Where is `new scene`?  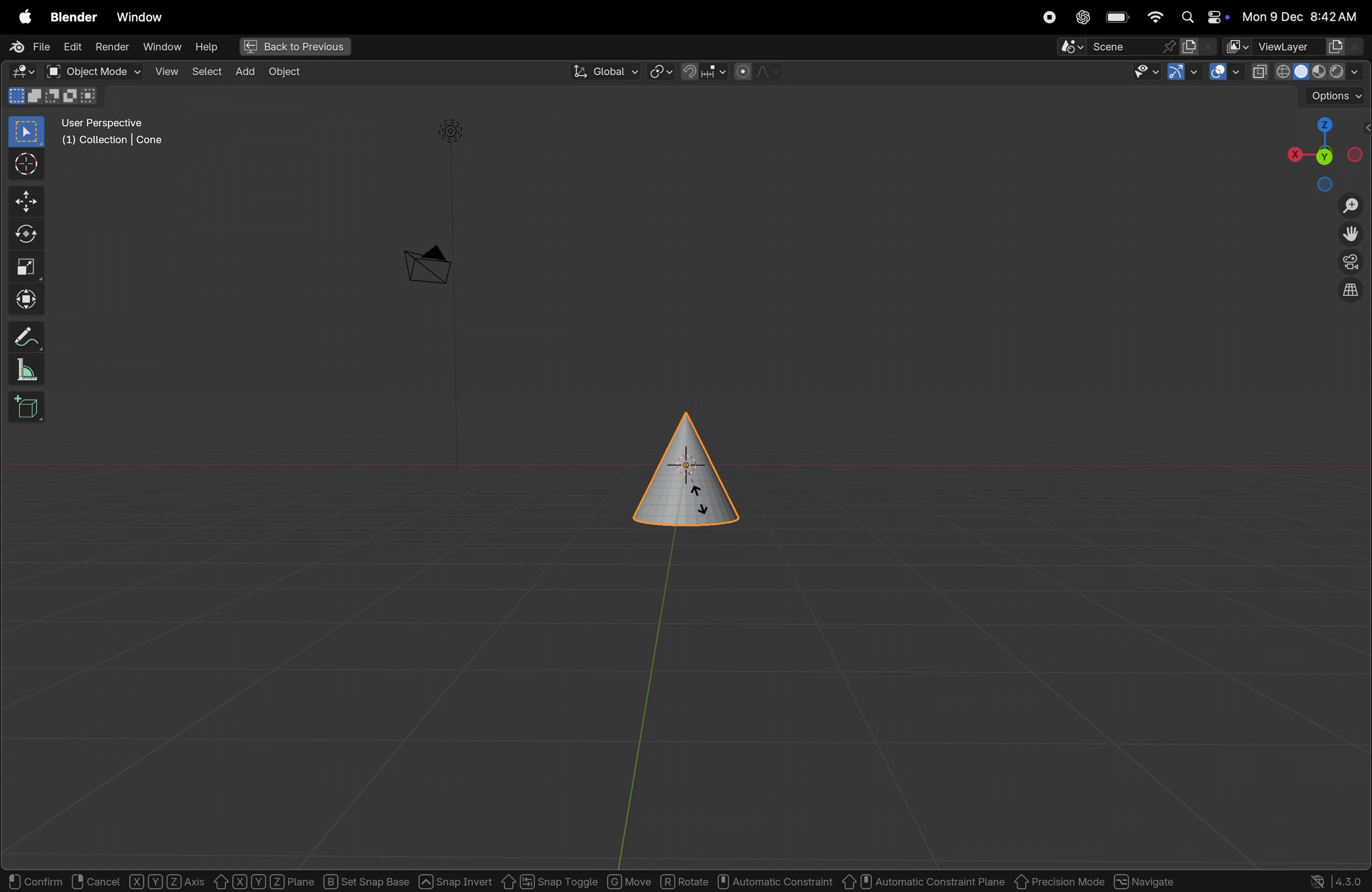
new scene is located at coordinates (1197, 46).